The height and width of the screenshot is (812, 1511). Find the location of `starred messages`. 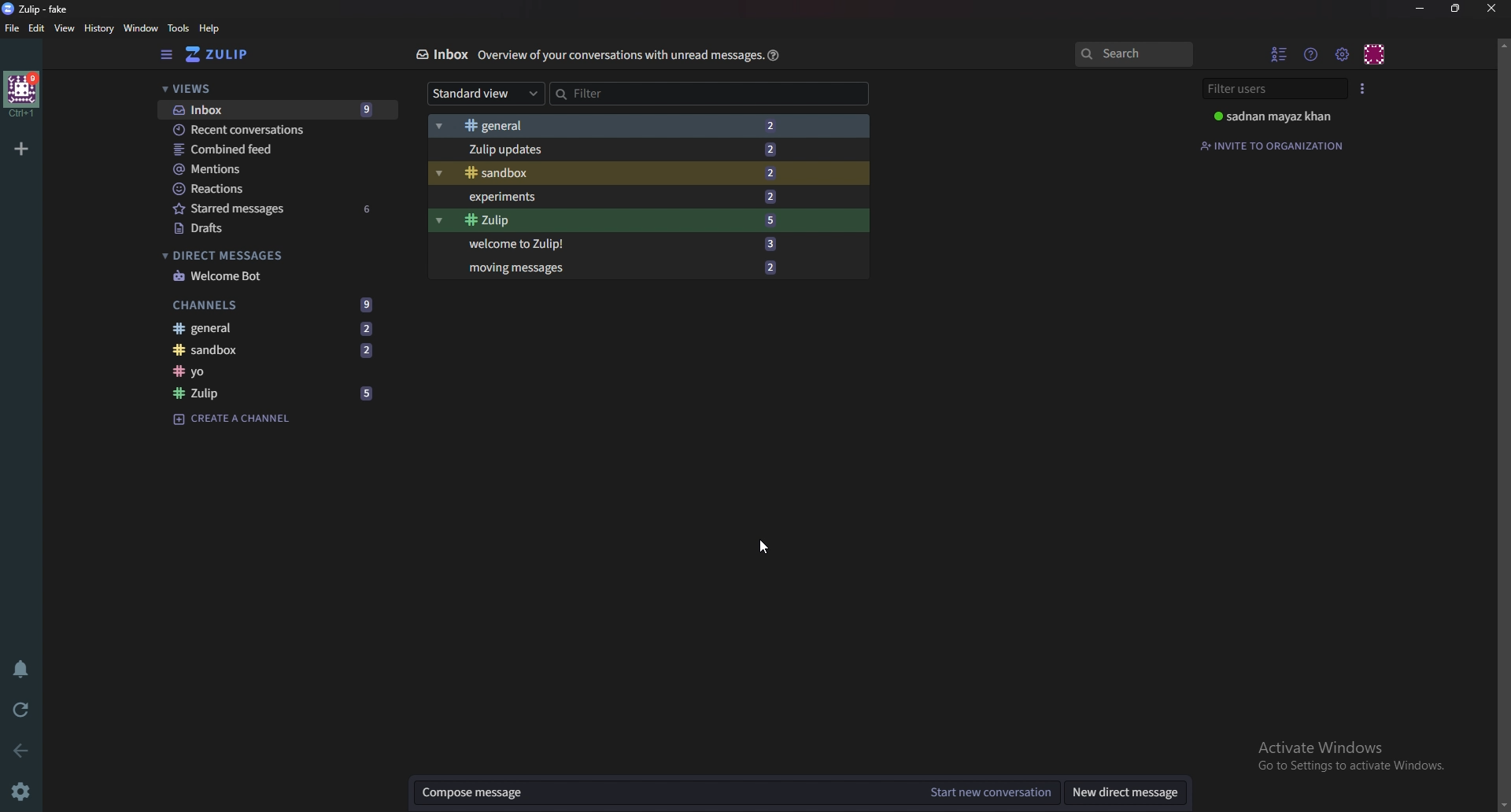

starred messages is located at coordinates (274, 208).